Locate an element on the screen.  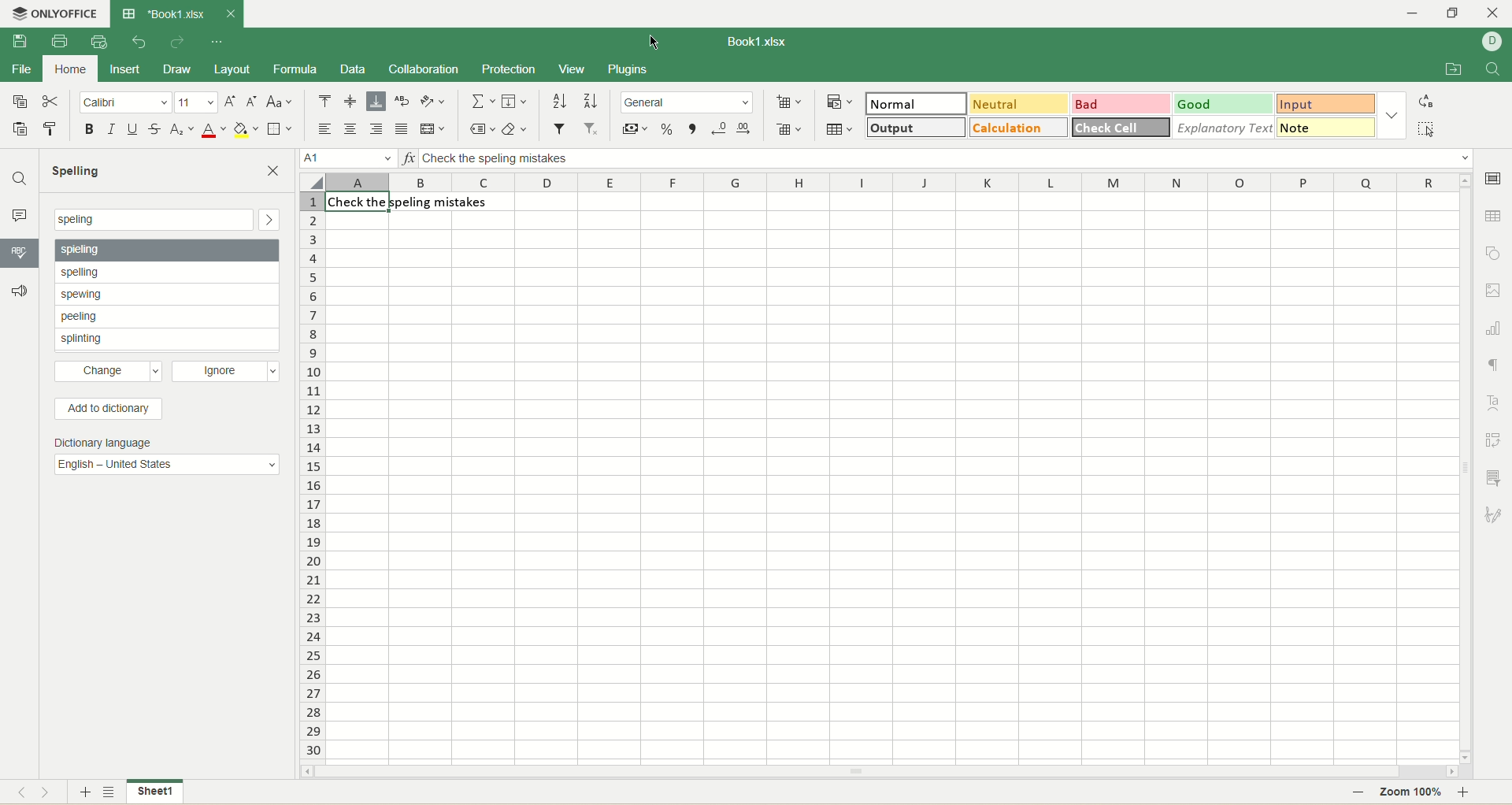
border is located at coordinates (279, 131).